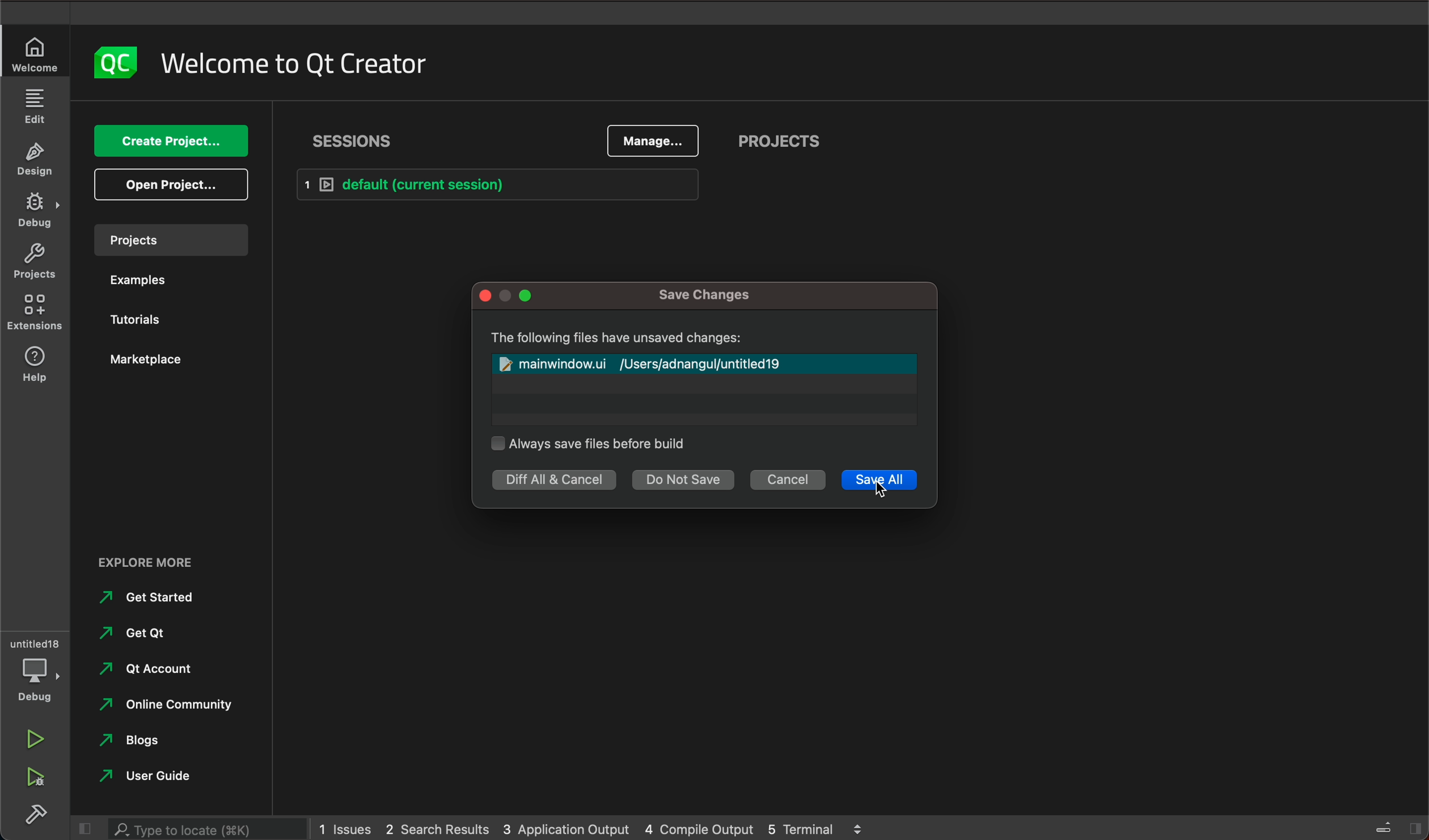  Describe the element at coordinates (173, 186) in the screenshot. I see `open` at that location.